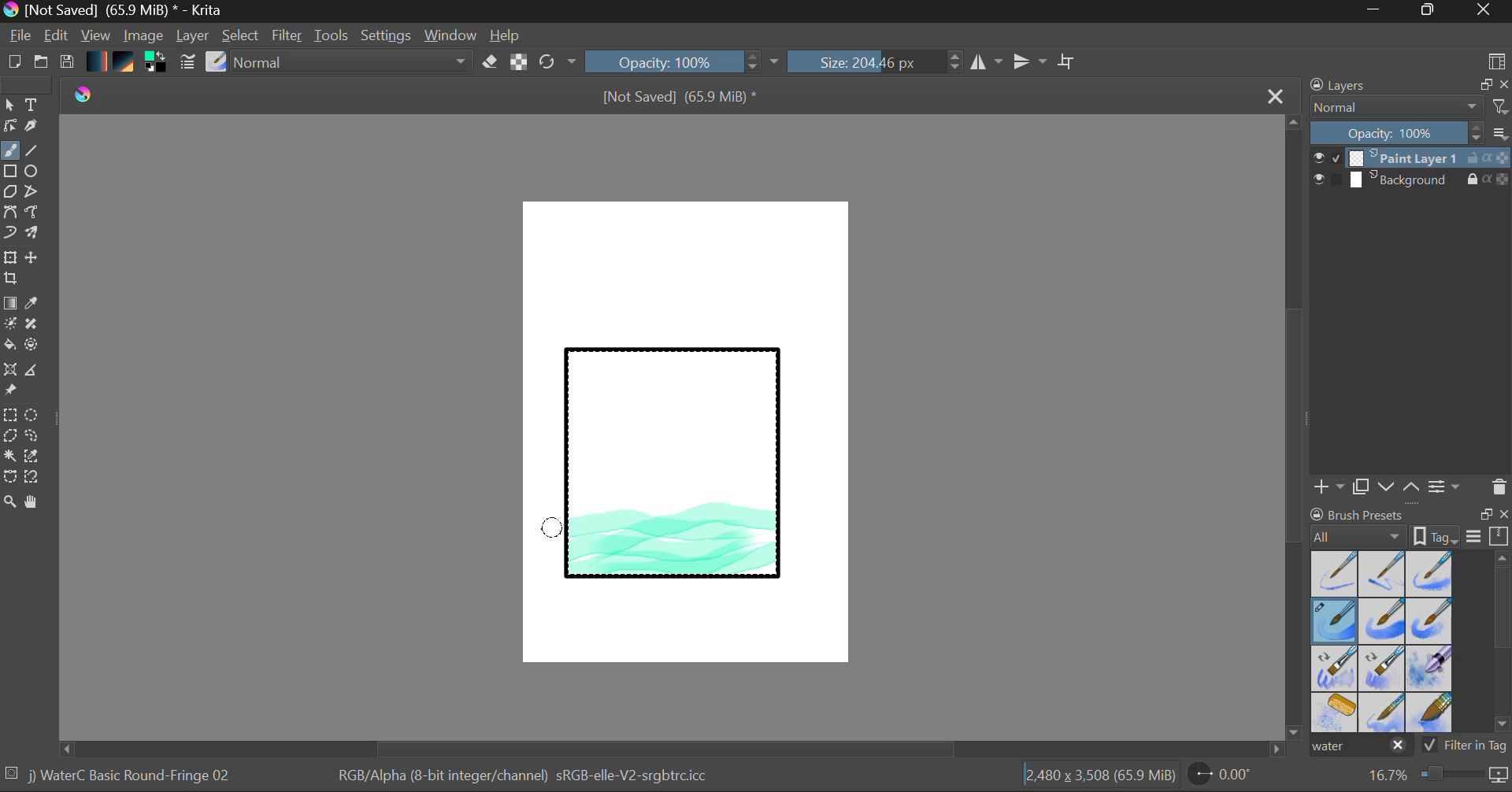 This screenshot has height=792, width=1512. Describe the element at coordinates (10, 302) in the screenshot. I see `Fill Gradient` at that location.